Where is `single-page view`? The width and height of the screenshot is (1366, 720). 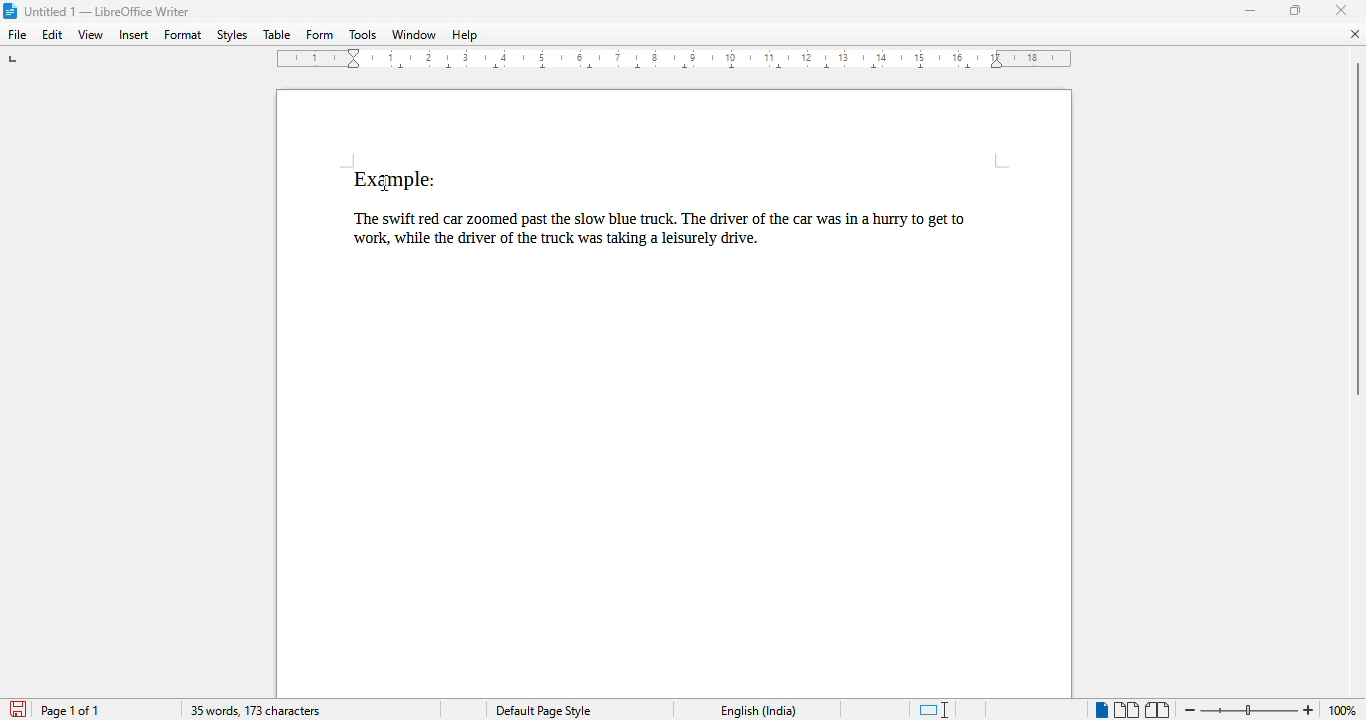
single-page view is located at coordinates (1101, 710).